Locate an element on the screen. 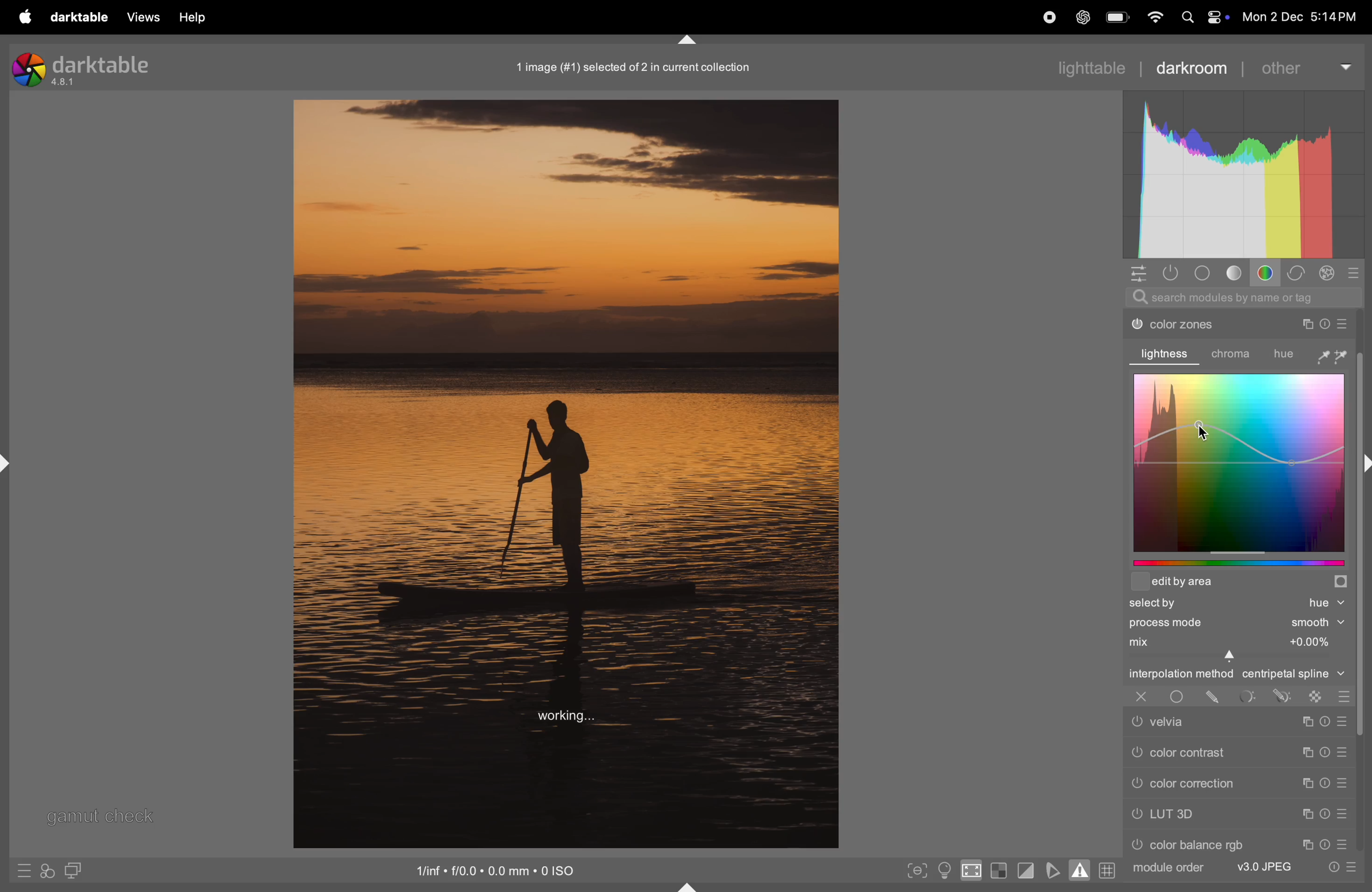 The height and width of the screenshot is (892, 1372). color rgb balance is located at coordinates (1208, 843).